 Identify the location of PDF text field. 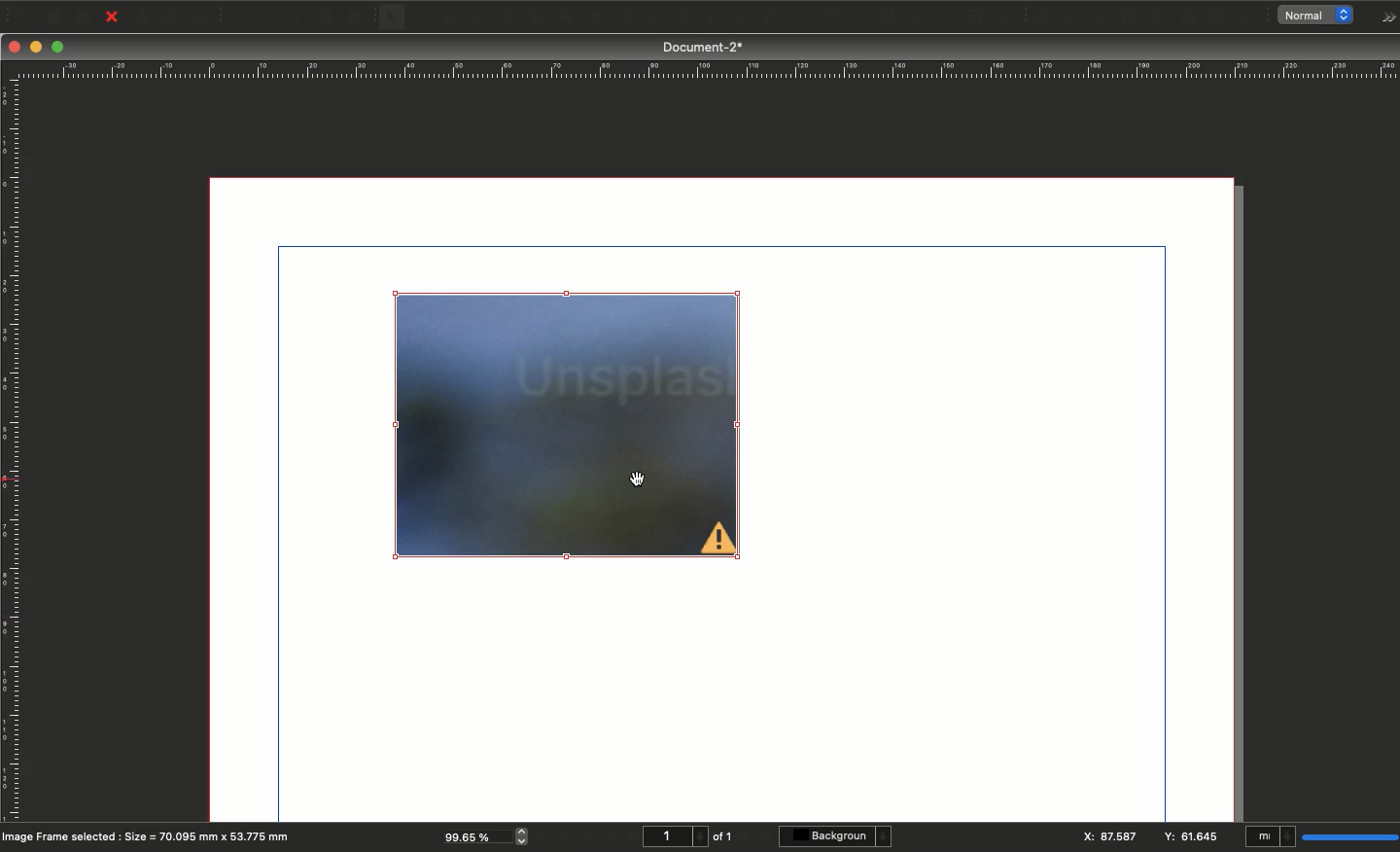
(1129, 18).